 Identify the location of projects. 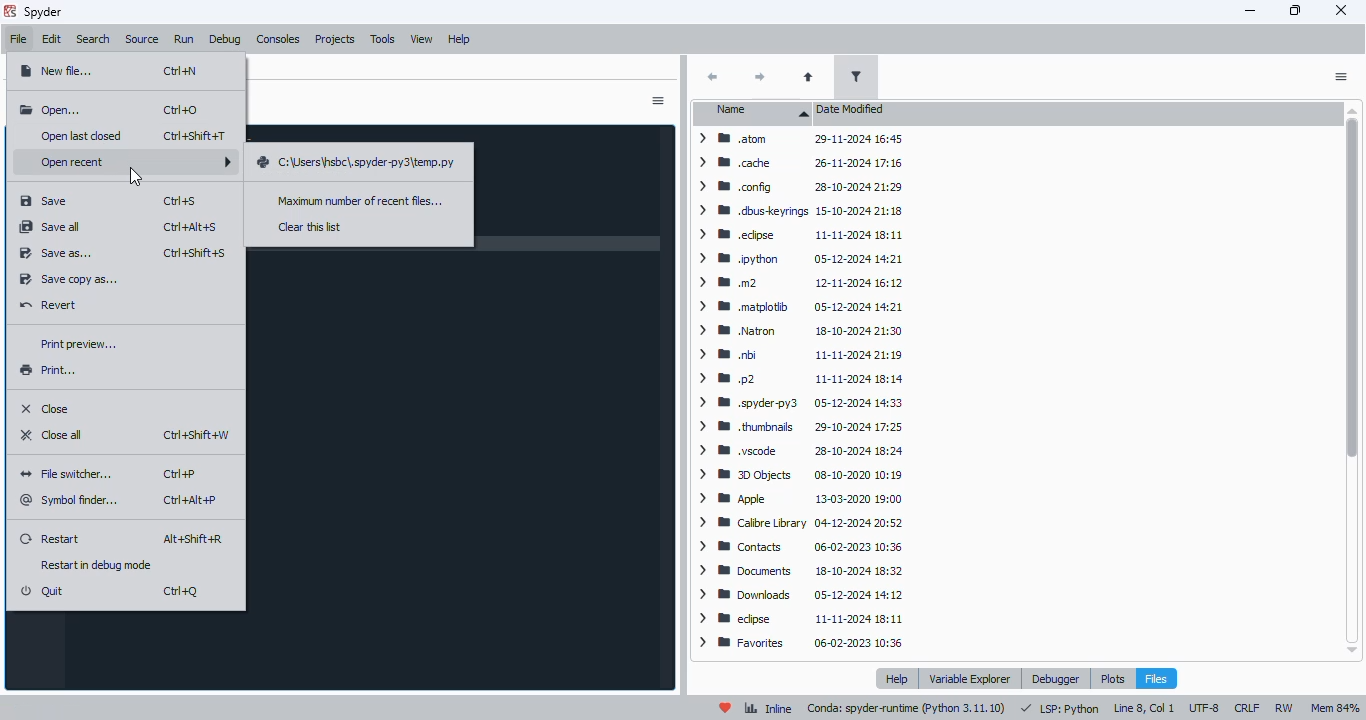
(334, 40).